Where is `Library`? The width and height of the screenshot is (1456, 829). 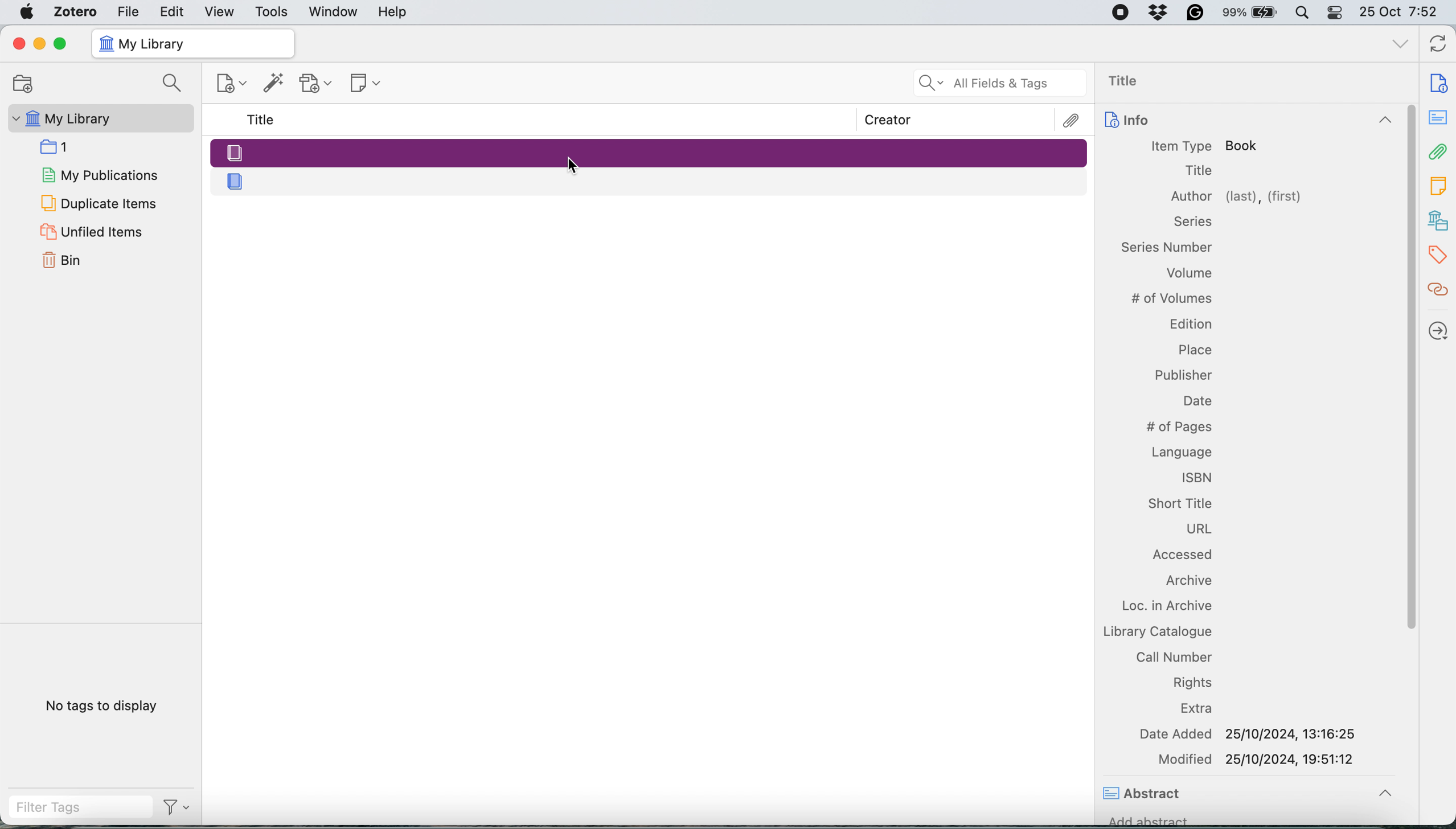 Library is located at coordinates (1439, 221).